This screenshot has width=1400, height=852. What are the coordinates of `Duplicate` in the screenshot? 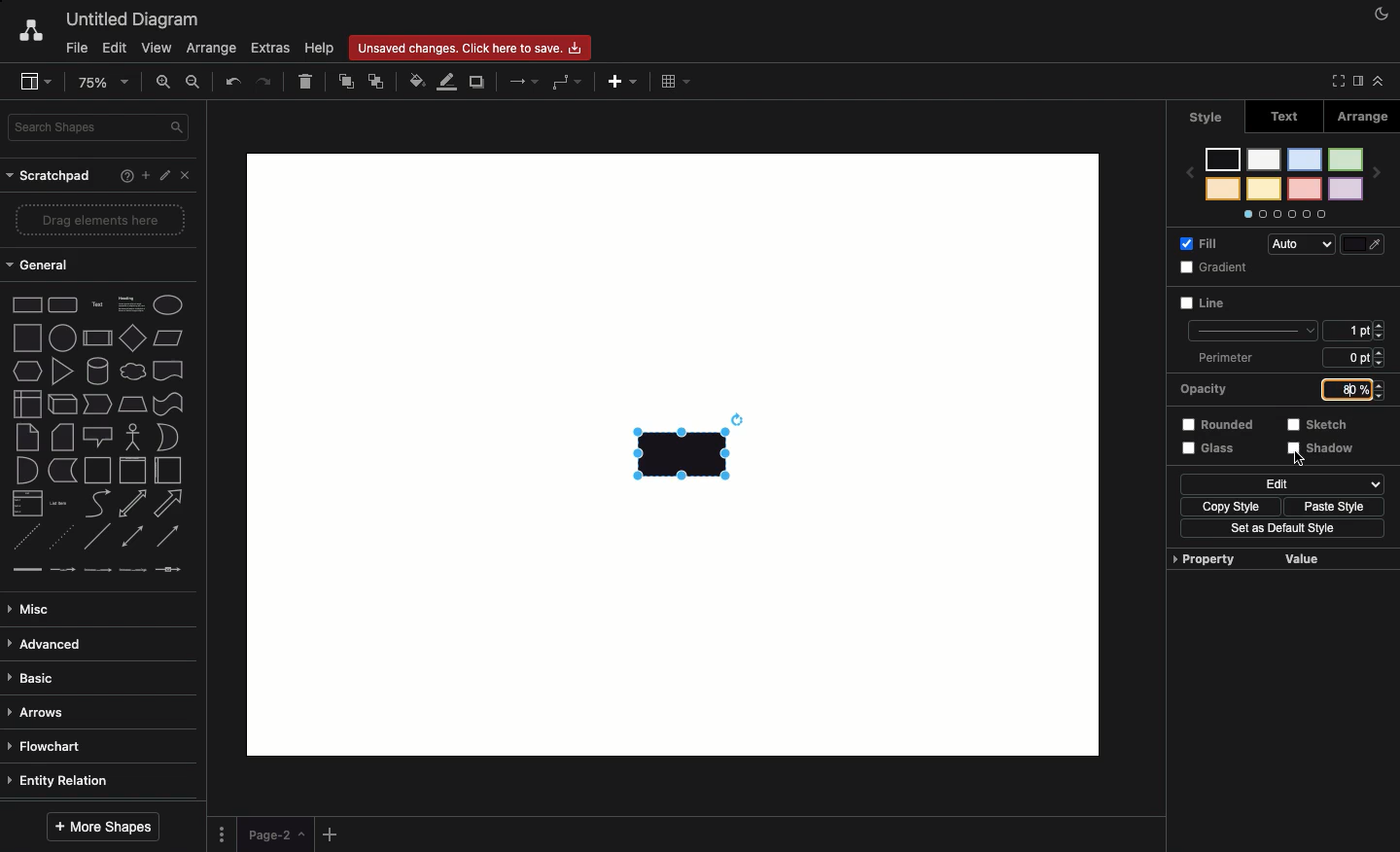 It's located at (477, 83).